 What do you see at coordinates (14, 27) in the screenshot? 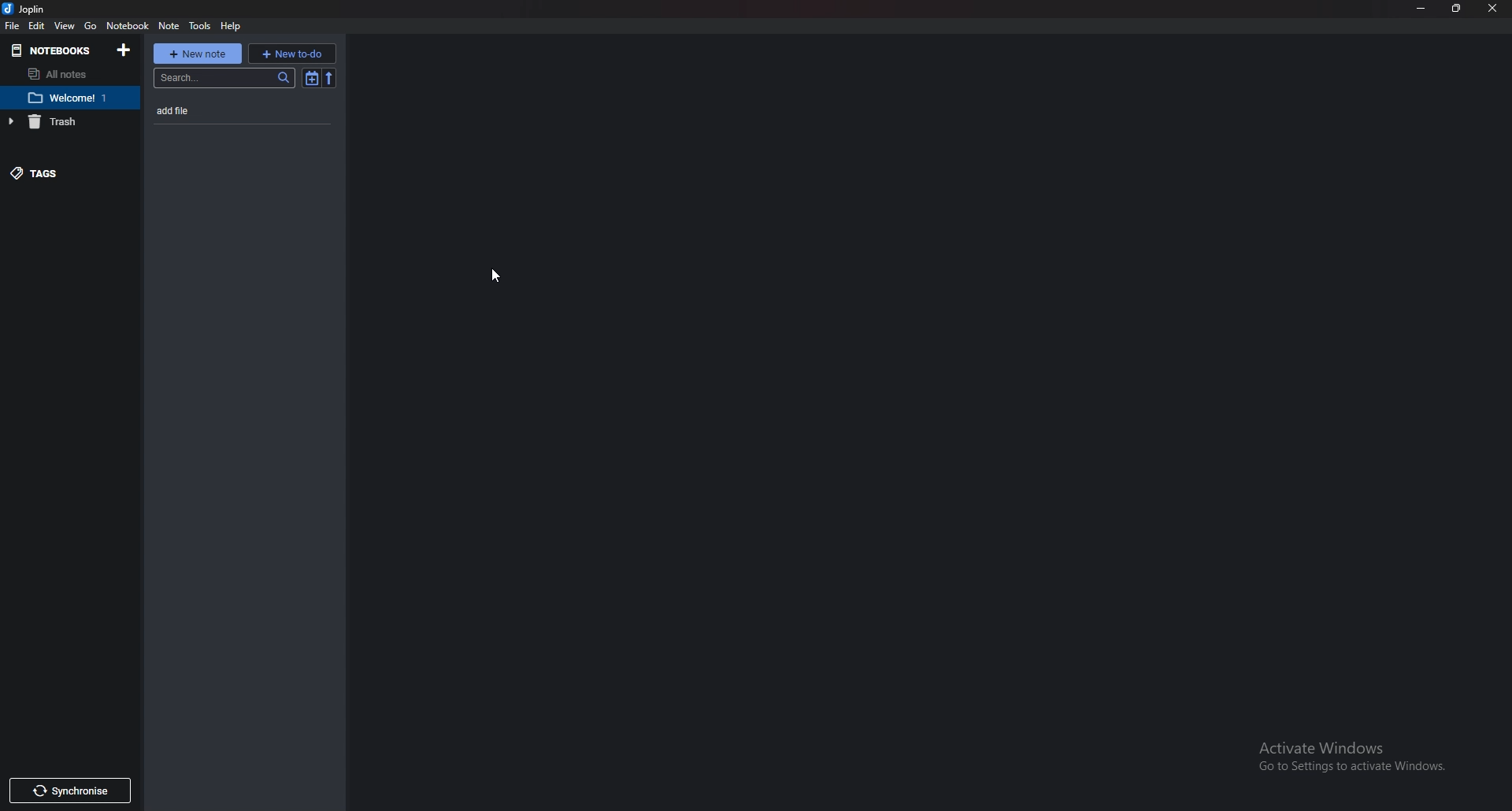
I see `file` at bounding box center [14, 27].